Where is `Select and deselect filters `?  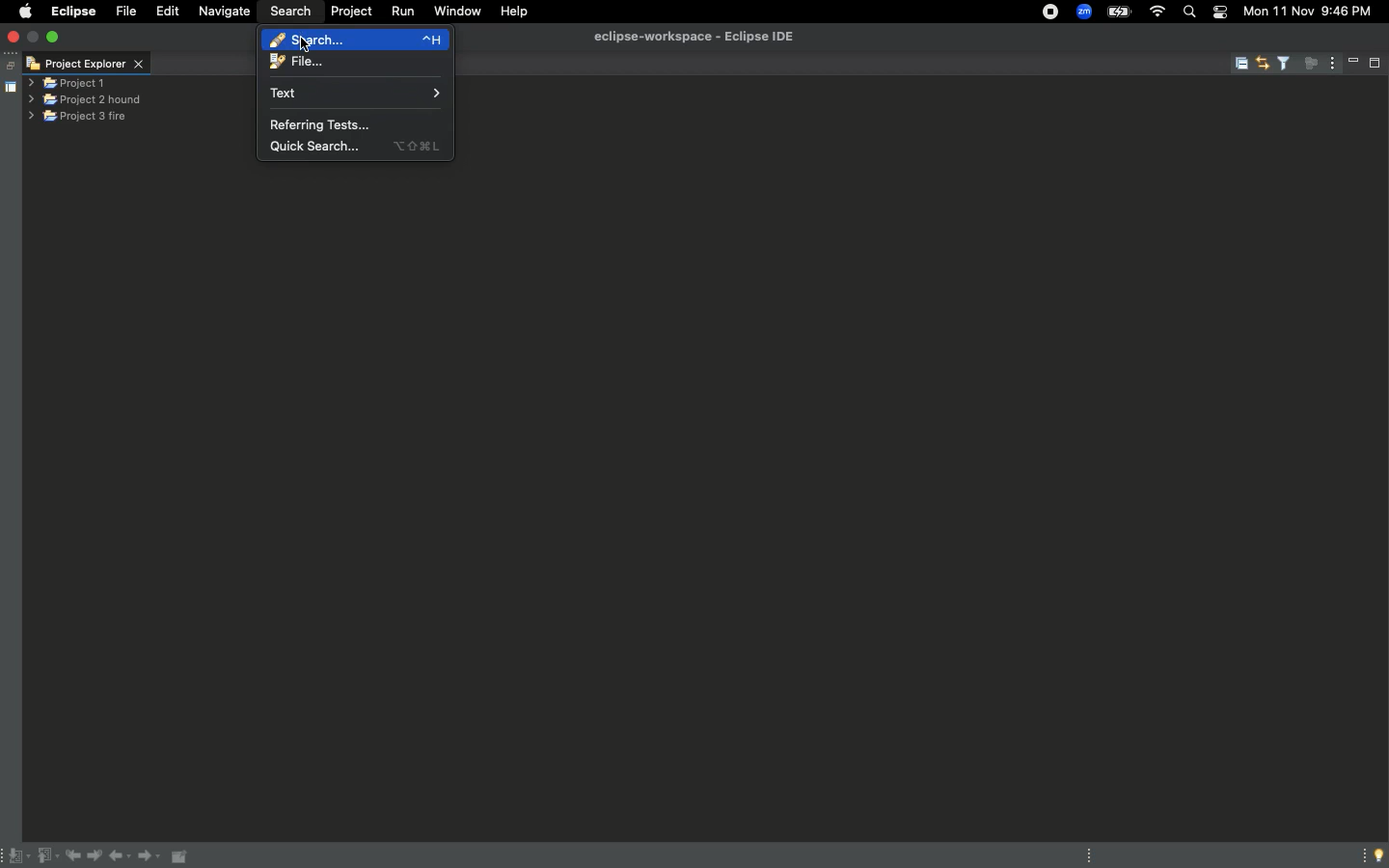 Select and deselect filters  is located at coordinates (1284, 64).